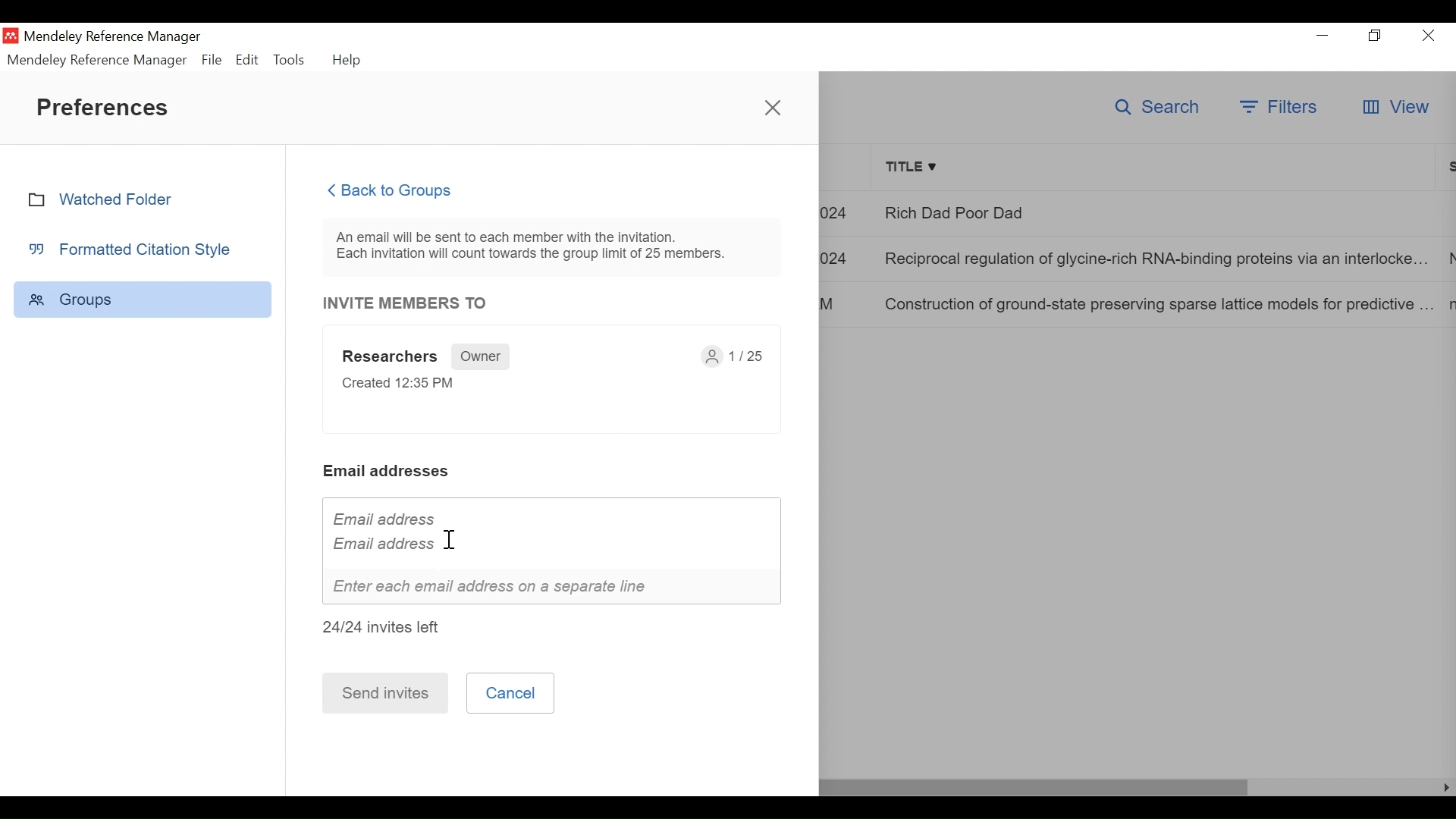 Image resolution: width=1456 pixels, height=819 pixels. I want to click on Reciprocal regulation of glycine-rich RNA-binding proteins via an interlocked.., so click(1159, 257).